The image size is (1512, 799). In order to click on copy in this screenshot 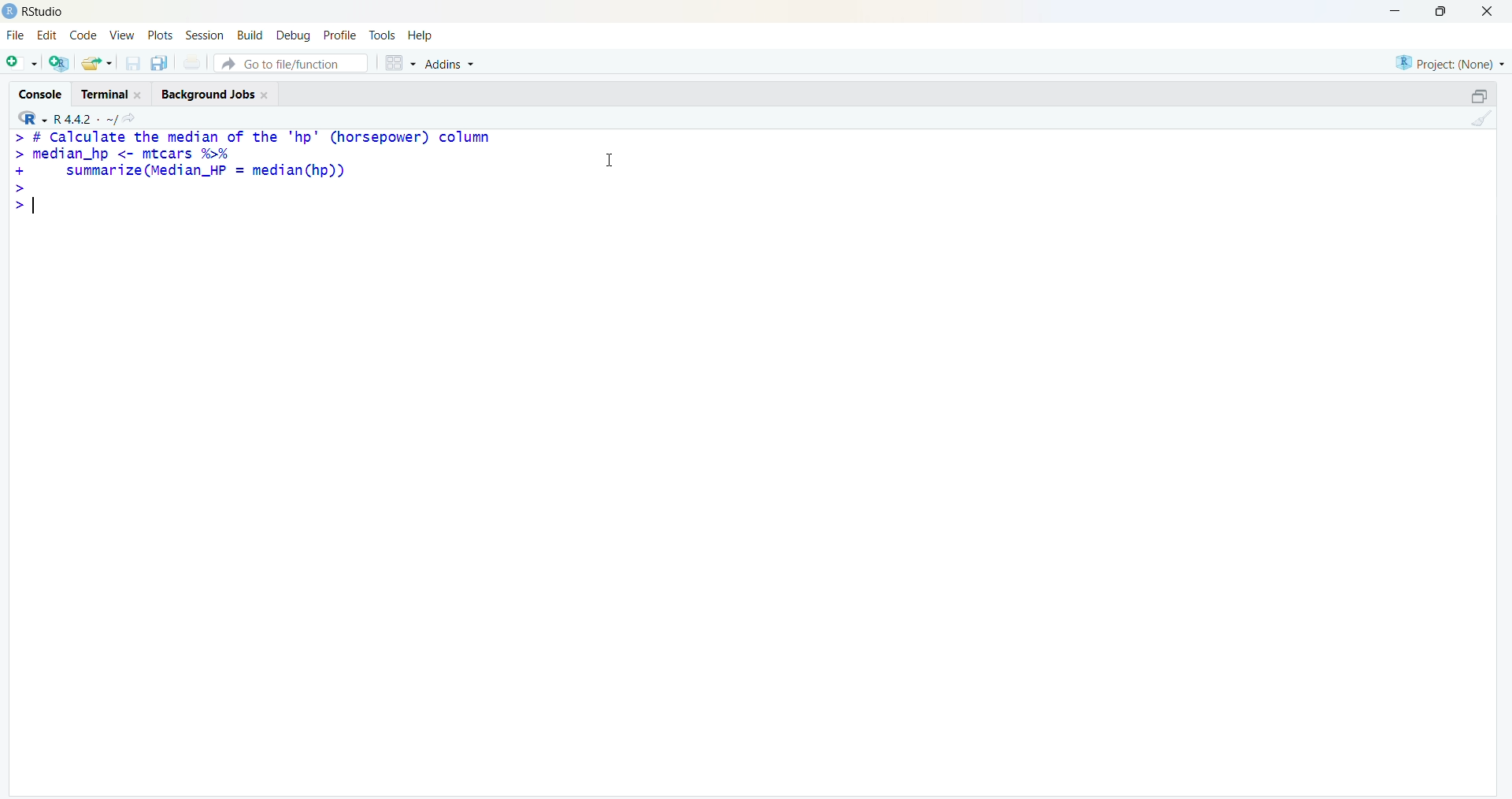, I will do `click(160, 63)`.